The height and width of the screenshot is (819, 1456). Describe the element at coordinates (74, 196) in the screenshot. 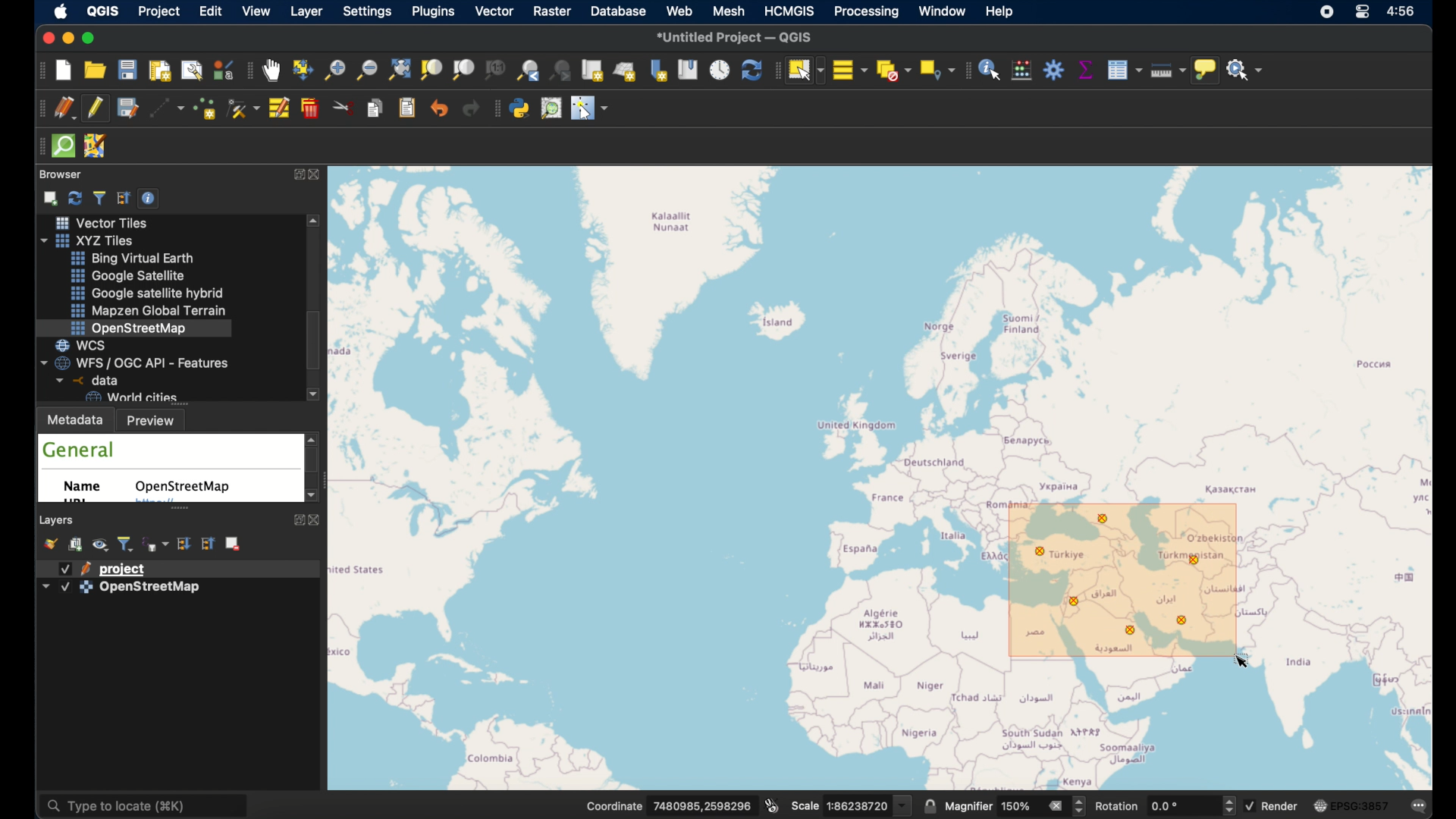

I see `refresh` at that location.